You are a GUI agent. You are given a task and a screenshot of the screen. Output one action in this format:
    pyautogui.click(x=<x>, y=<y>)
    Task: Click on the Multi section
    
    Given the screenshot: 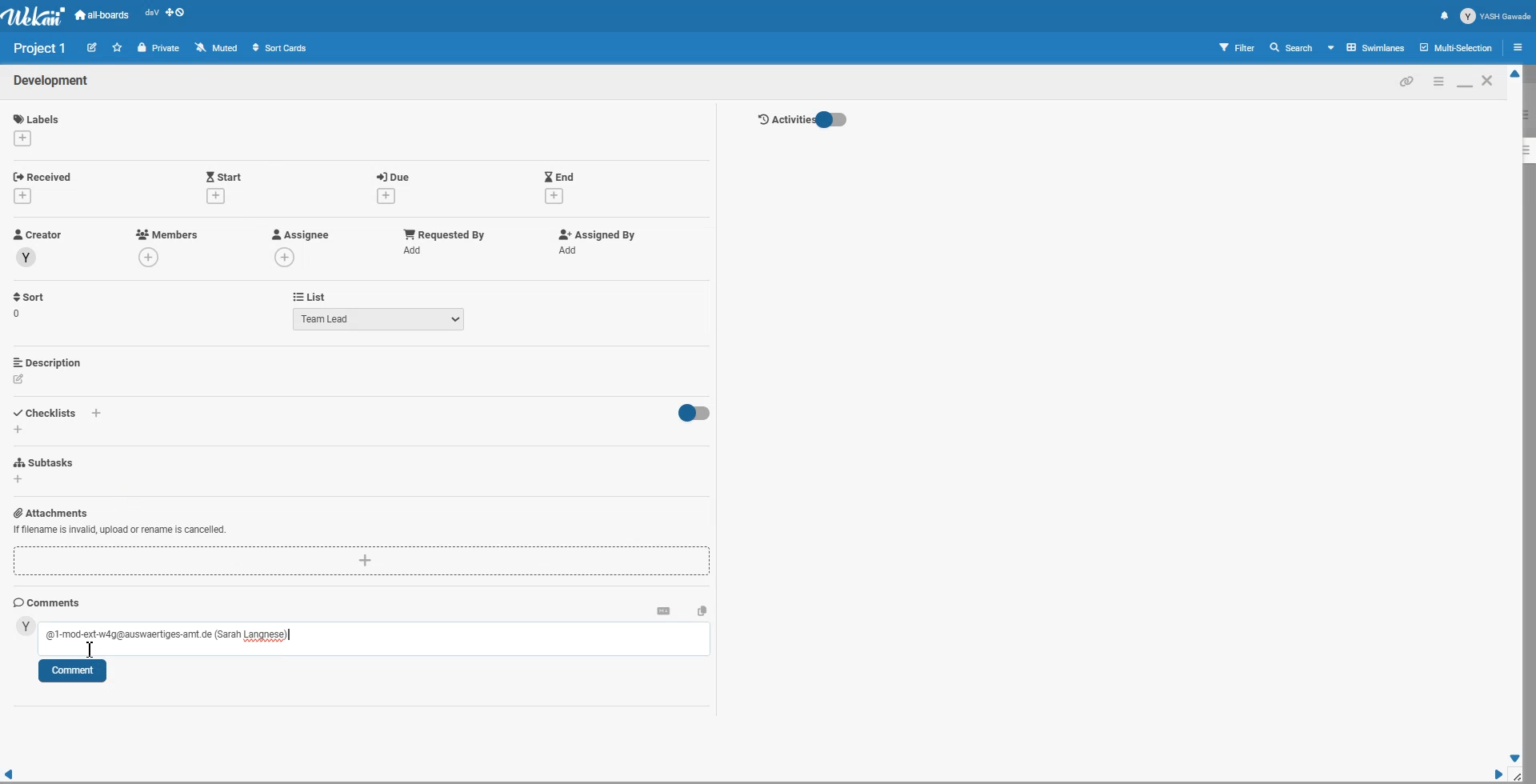 What is the action you would take?
    pyautogui.click(x=1458, y=47)
    